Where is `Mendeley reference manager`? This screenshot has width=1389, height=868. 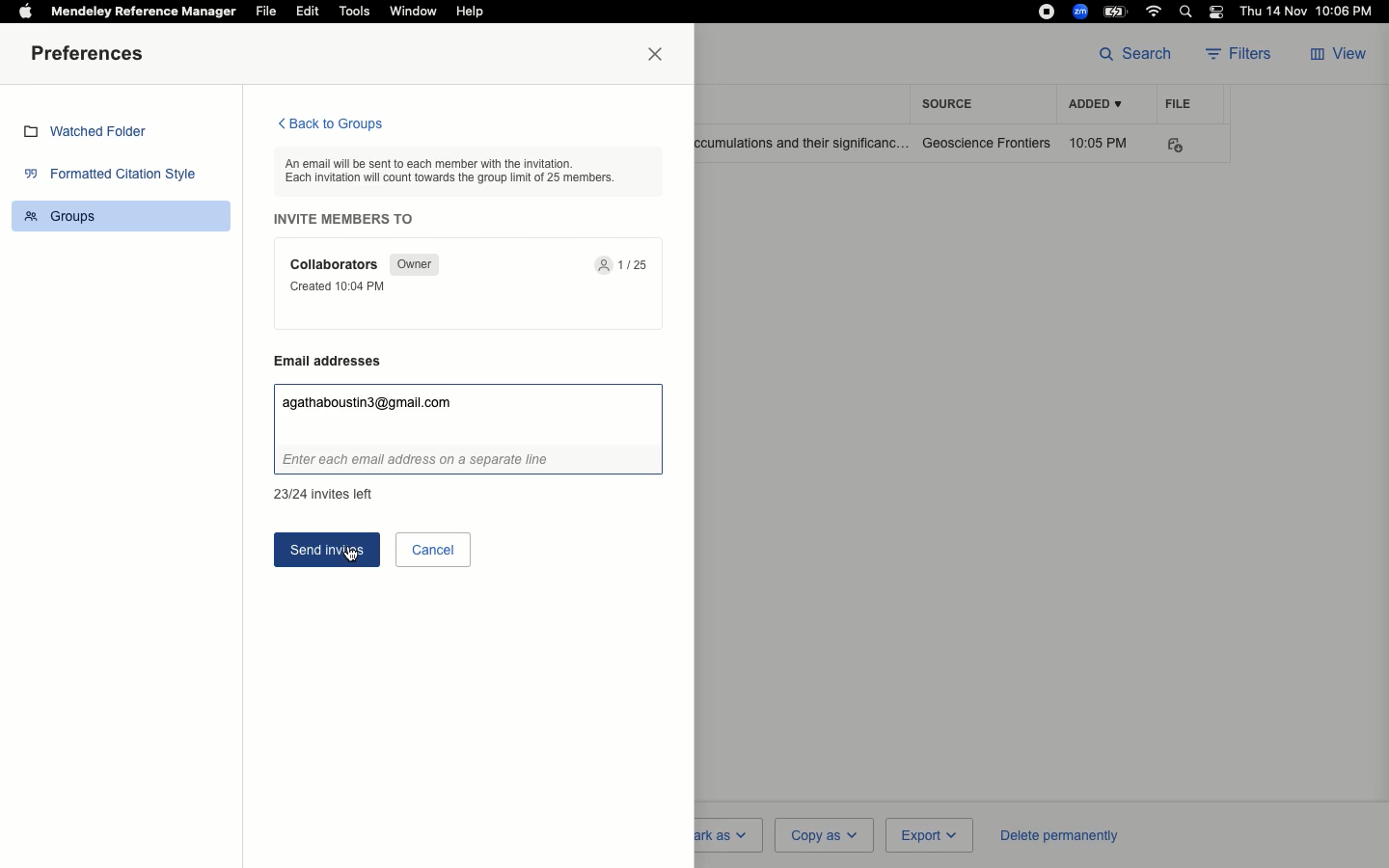
Mendeley reference manager is located at coordinates (145, 12).